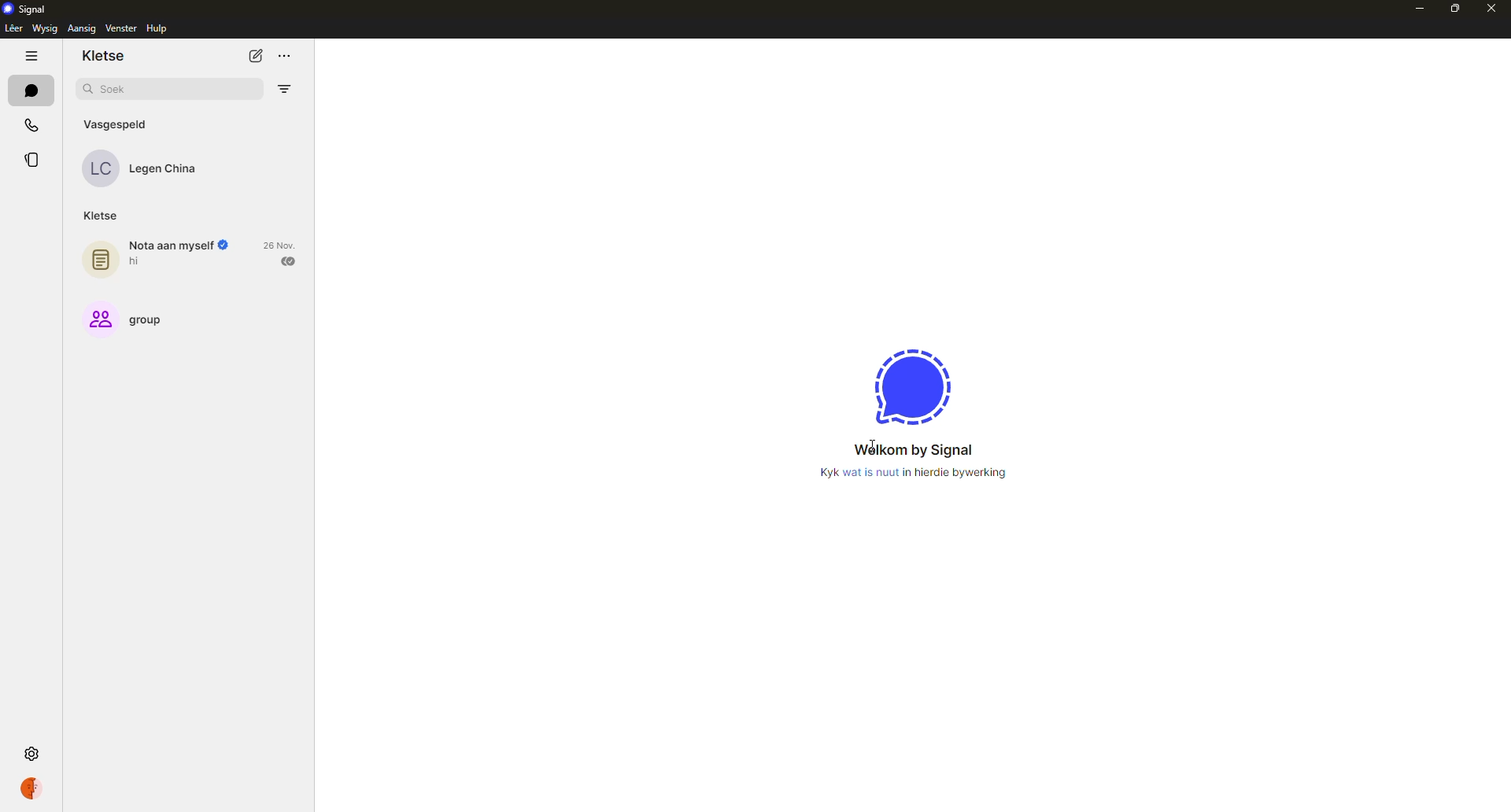 This screenshot has height=812, width=1511. Describe the element at coordinates (1417, 9) in the screenshot. I see `minimize` at that location.